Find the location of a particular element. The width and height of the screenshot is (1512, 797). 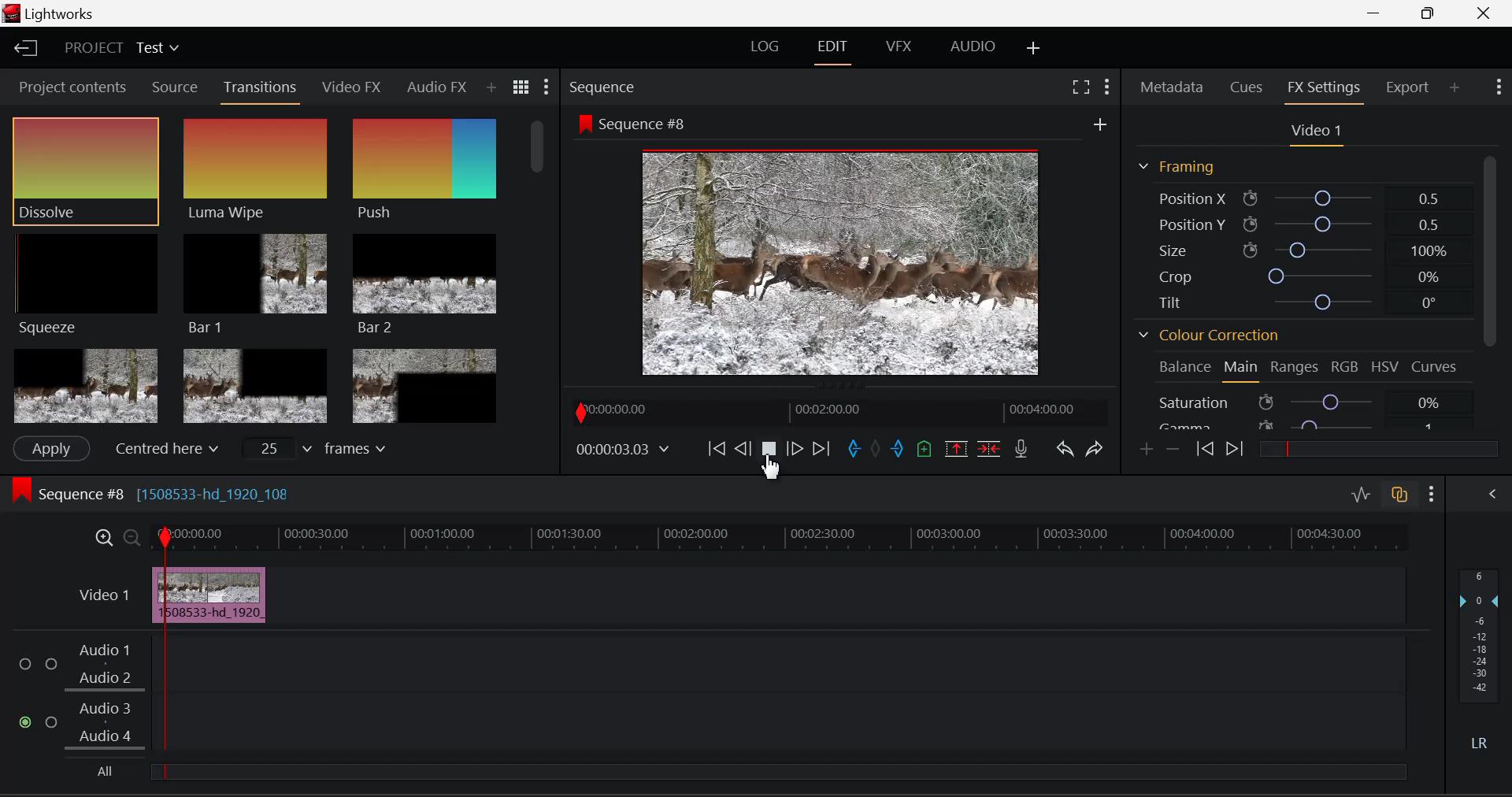

Restore Down is located at coordinates (1379, 13).